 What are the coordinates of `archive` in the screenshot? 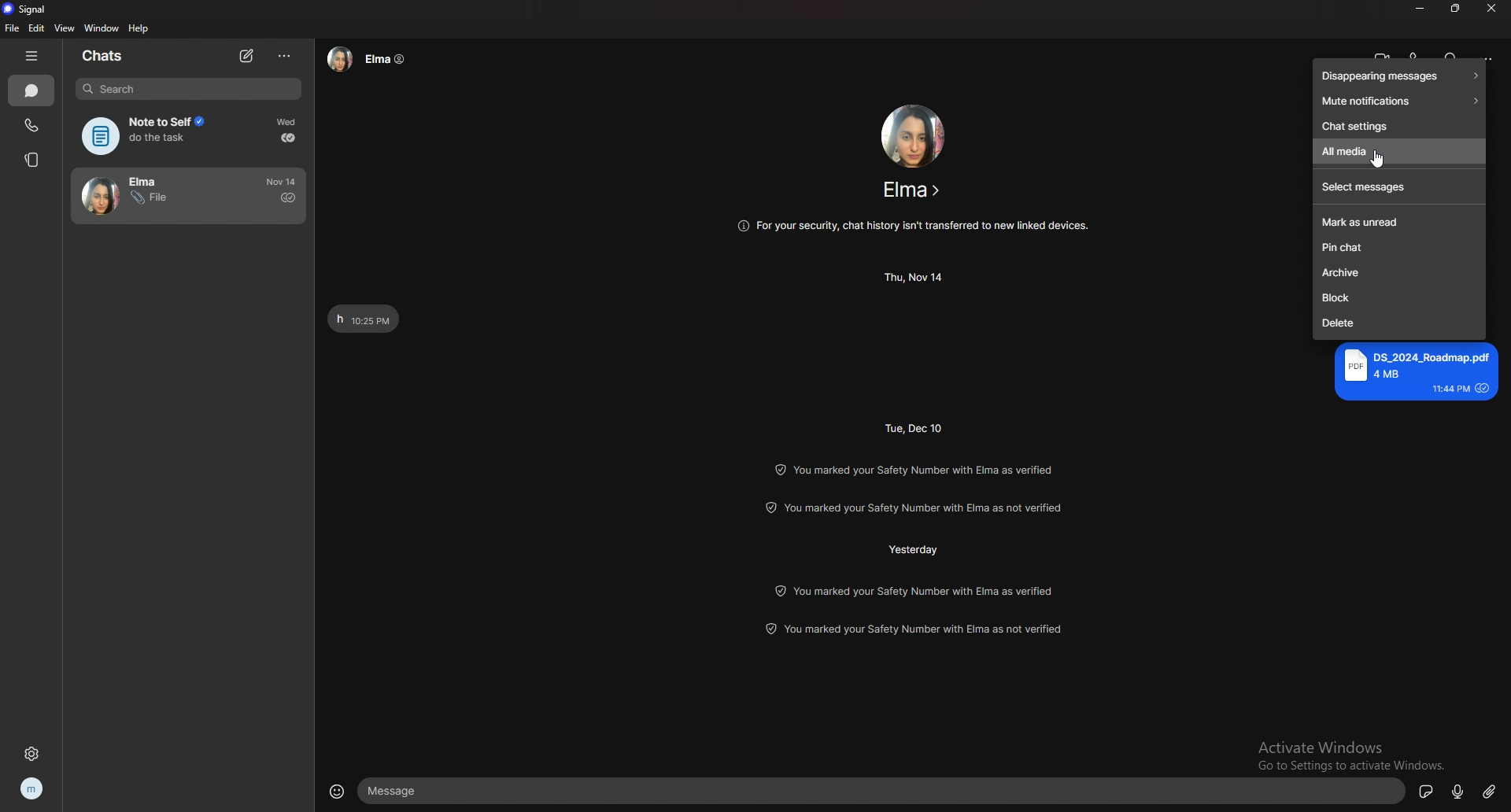 It's located at (1400, 274).